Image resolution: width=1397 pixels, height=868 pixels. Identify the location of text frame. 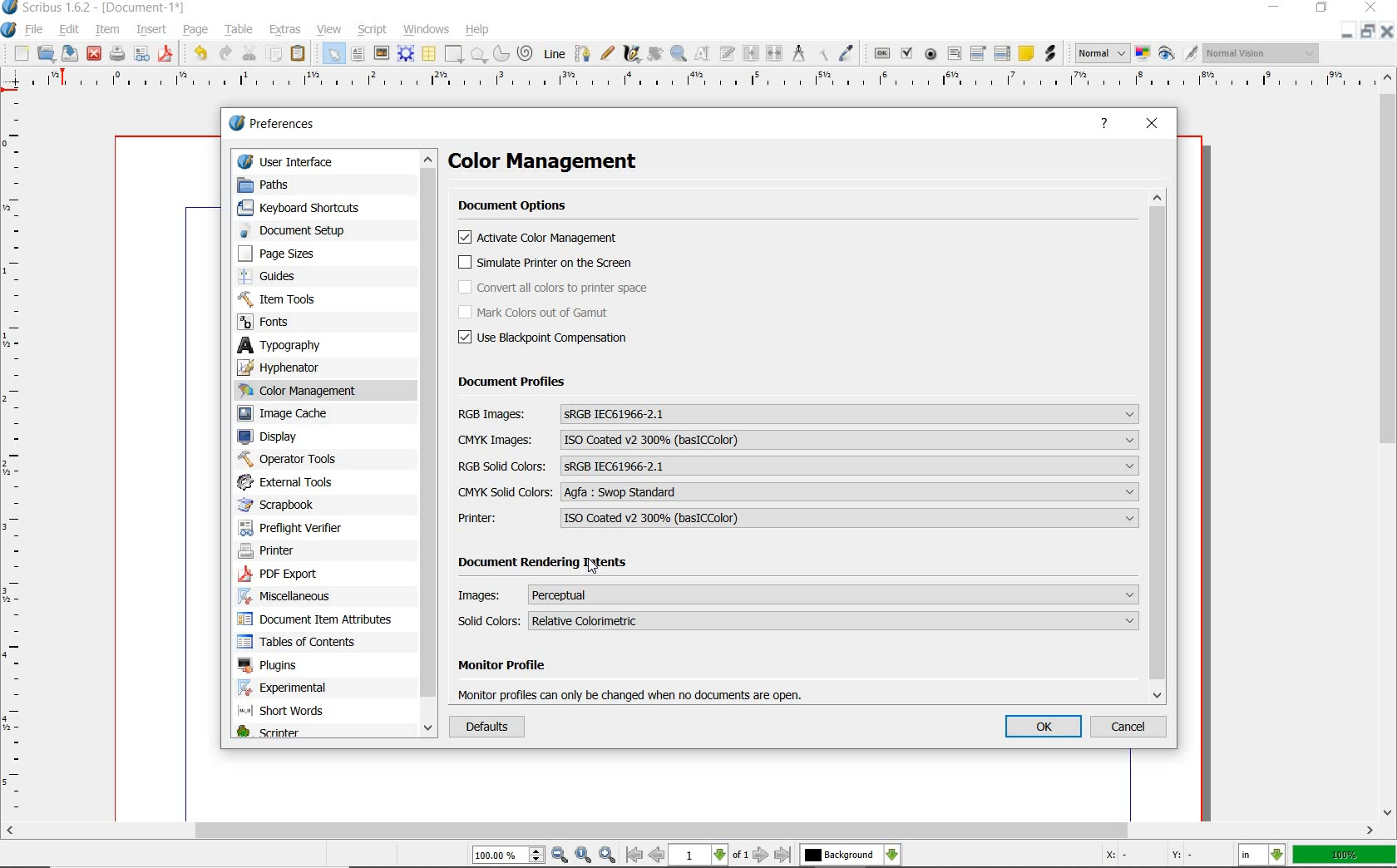
(358, 54).